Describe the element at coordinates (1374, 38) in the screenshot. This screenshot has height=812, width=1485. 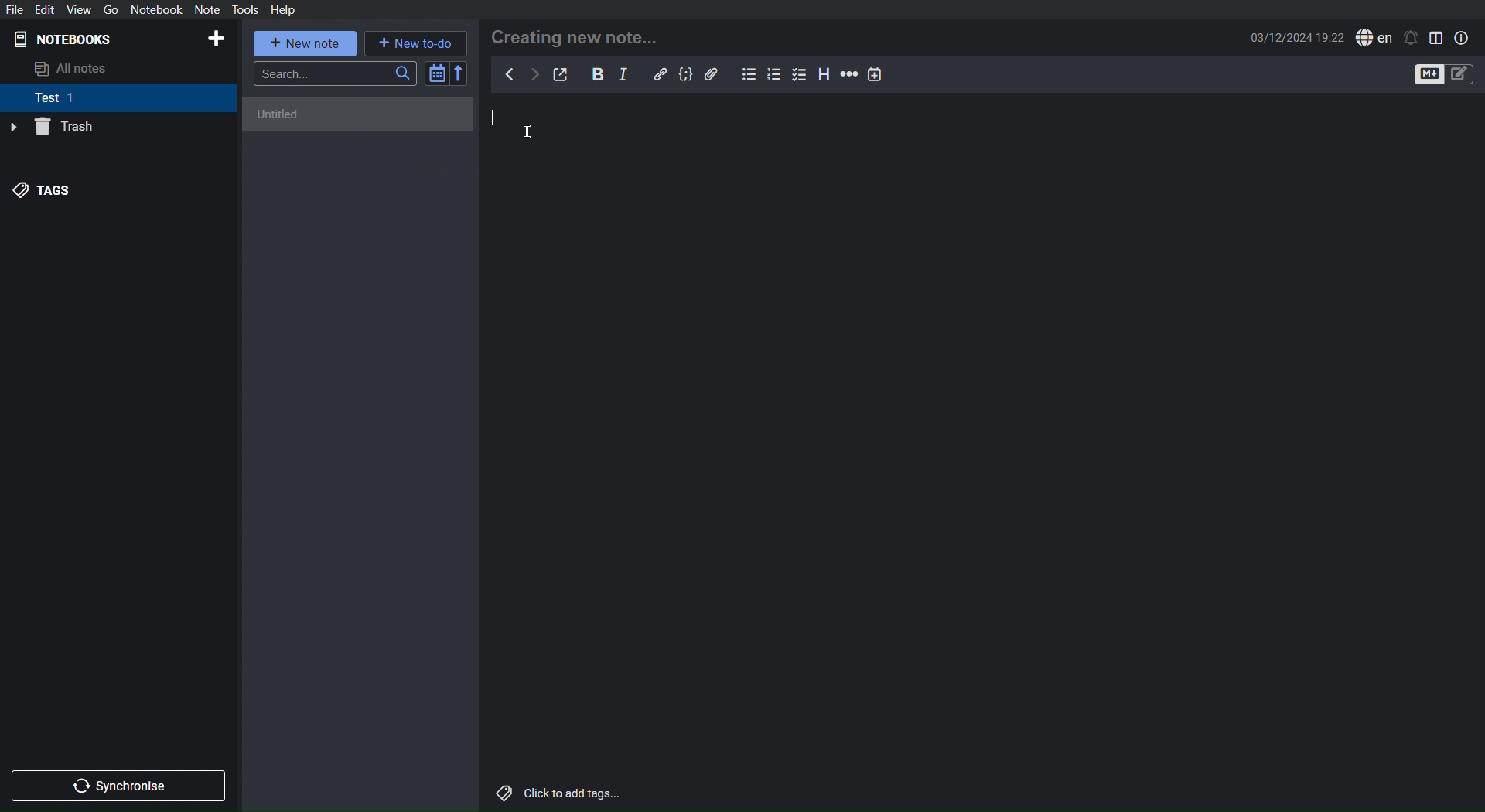
I see `English` at that location.